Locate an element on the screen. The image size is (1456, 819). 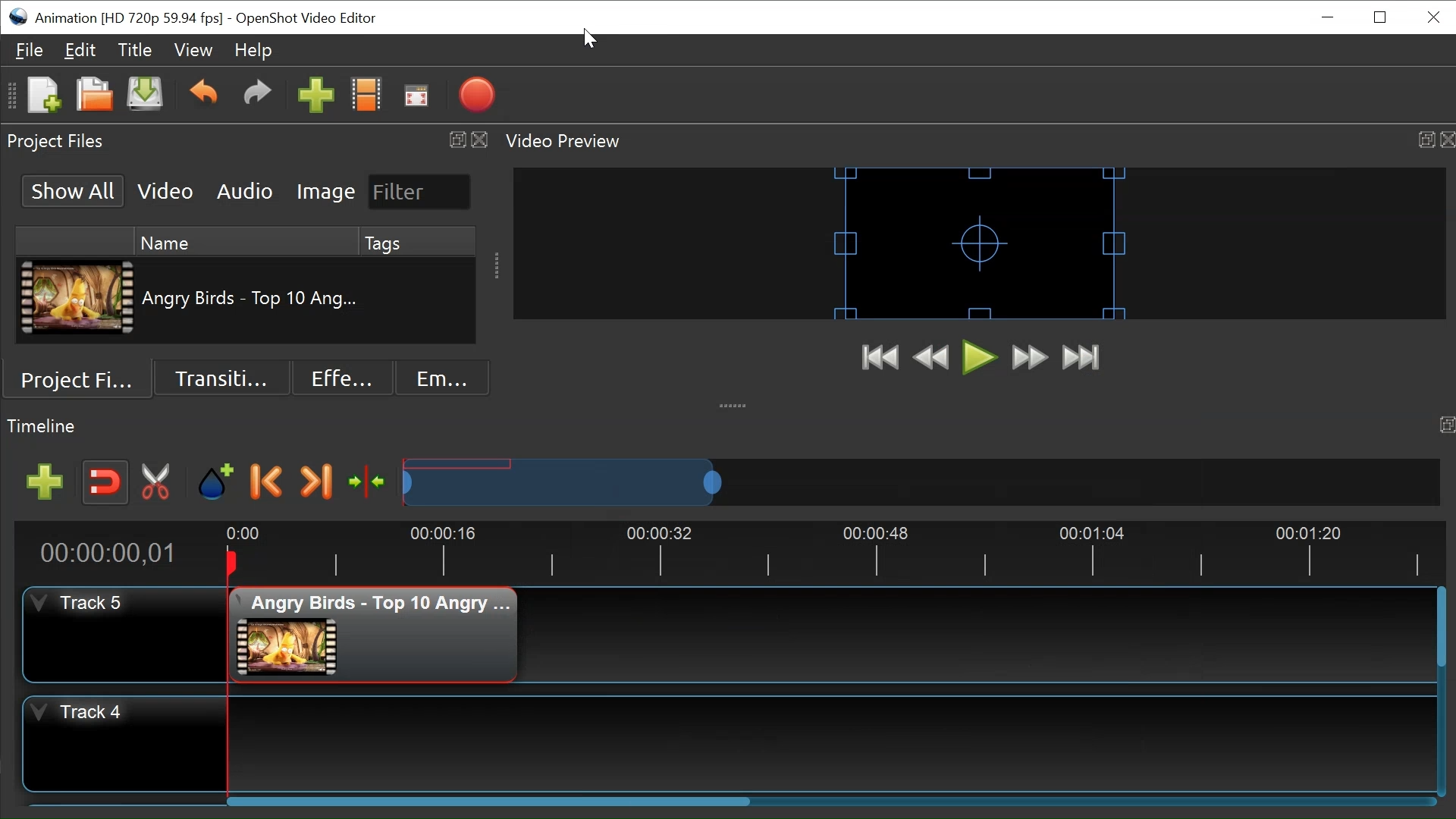
Import Files is located at coordinates (316, 98).